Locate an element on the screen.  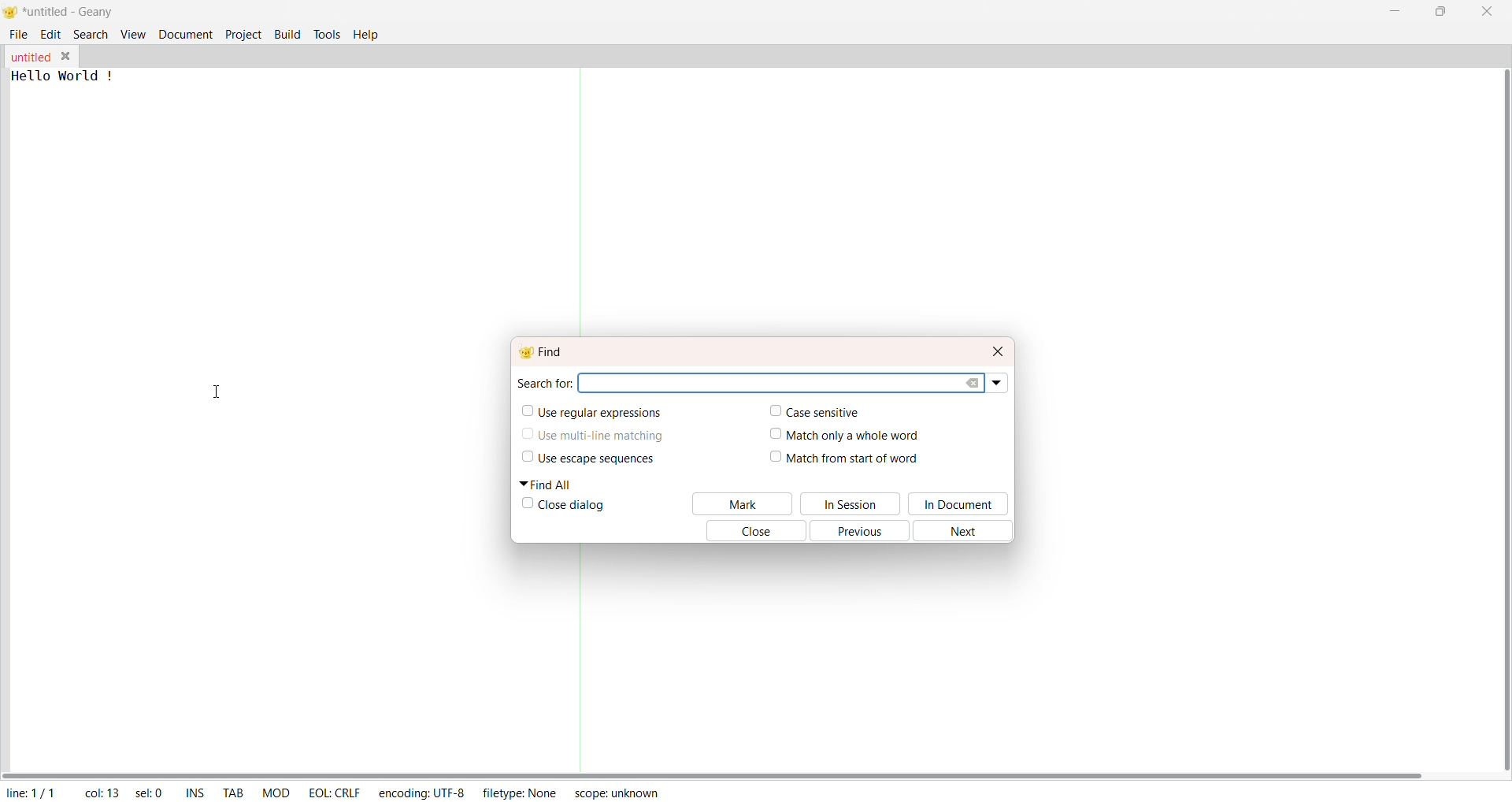
Close is located at coordinates (1484, 12).